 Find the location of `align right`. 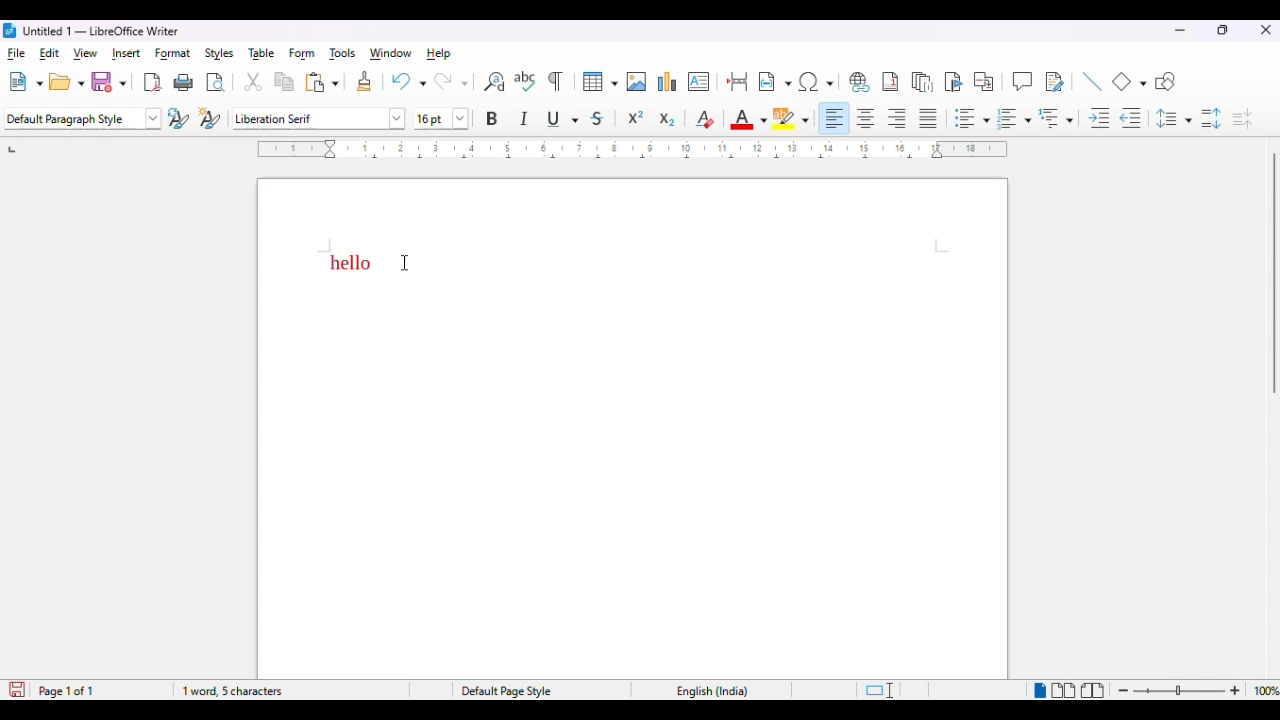

align right is located at coordinates (898, 119).